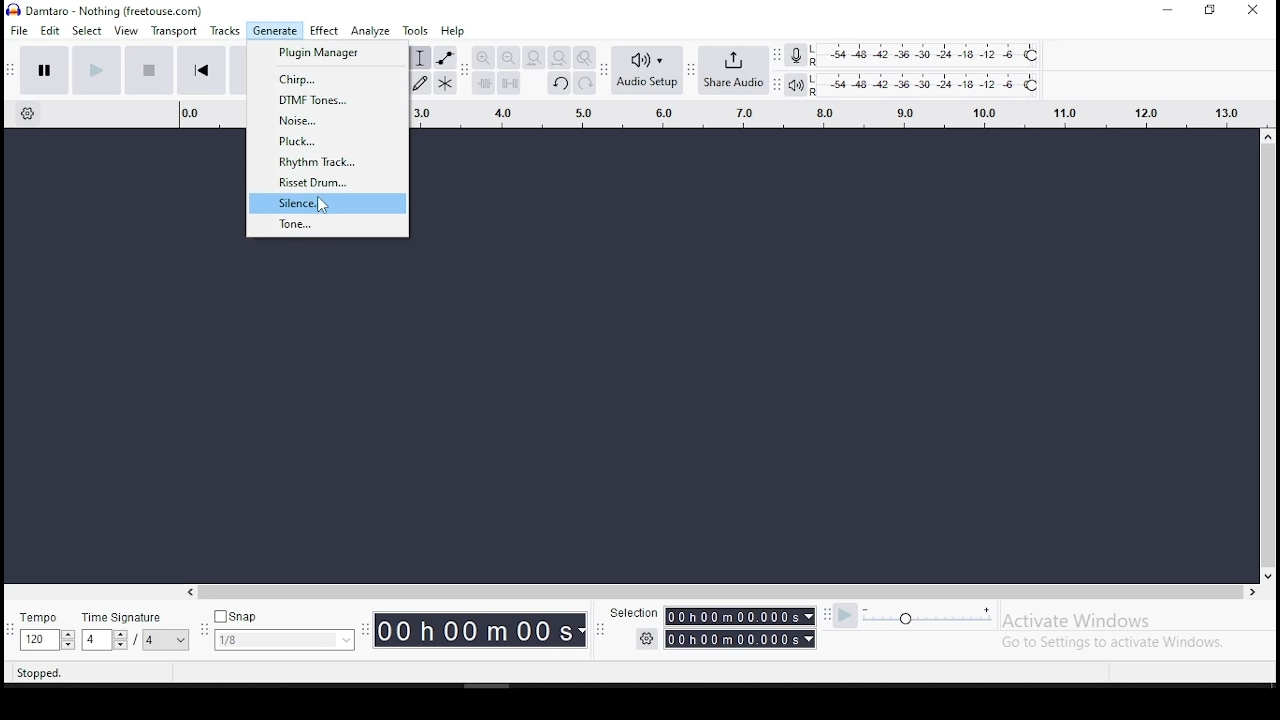  What do you see at coordinates (1167, 11) in the screenshot?
I see `minimize` at bounding box center [1167, 11].